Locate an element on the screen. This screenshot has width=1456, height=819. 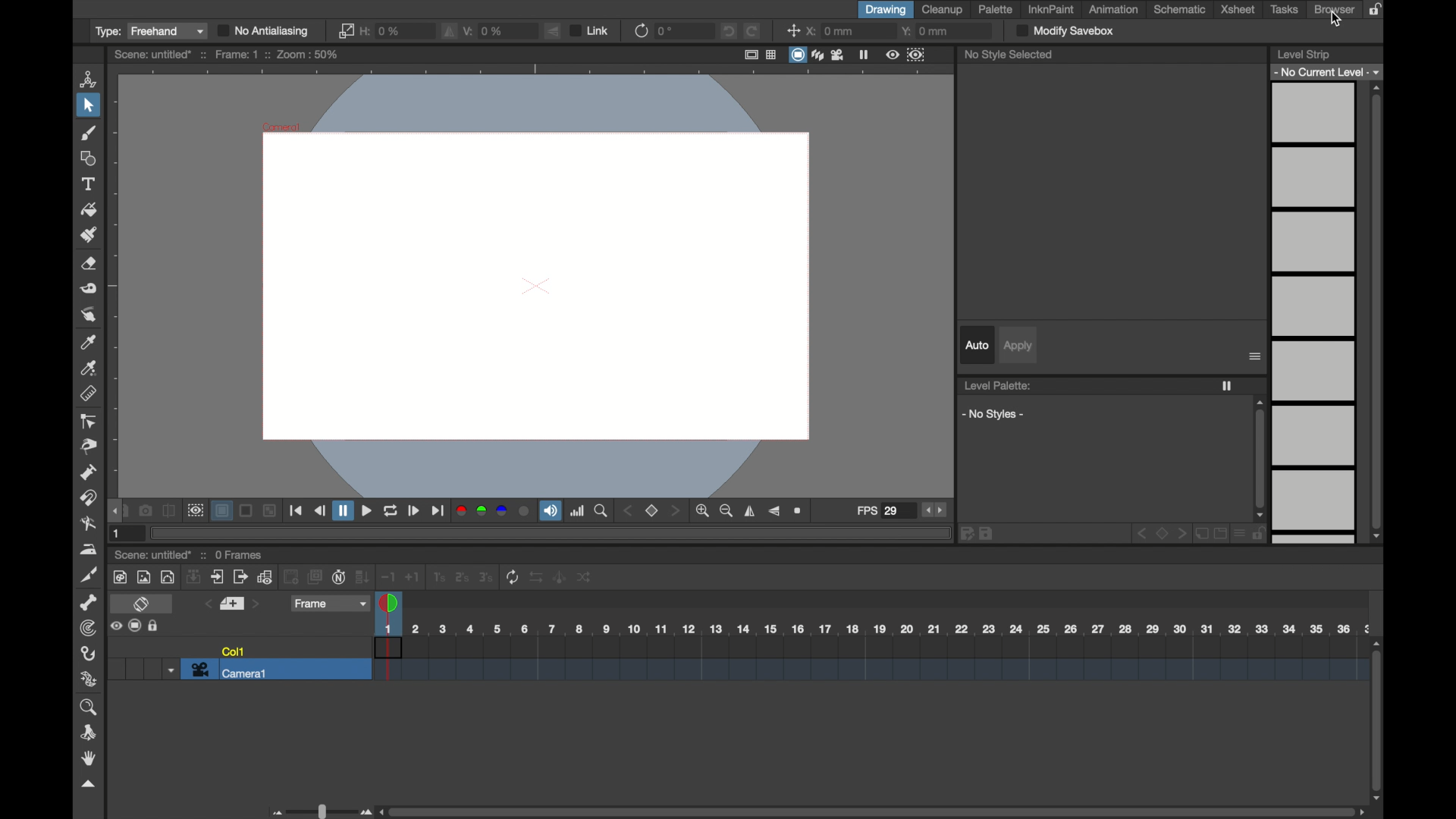
x is located at coordinates (831, 31).